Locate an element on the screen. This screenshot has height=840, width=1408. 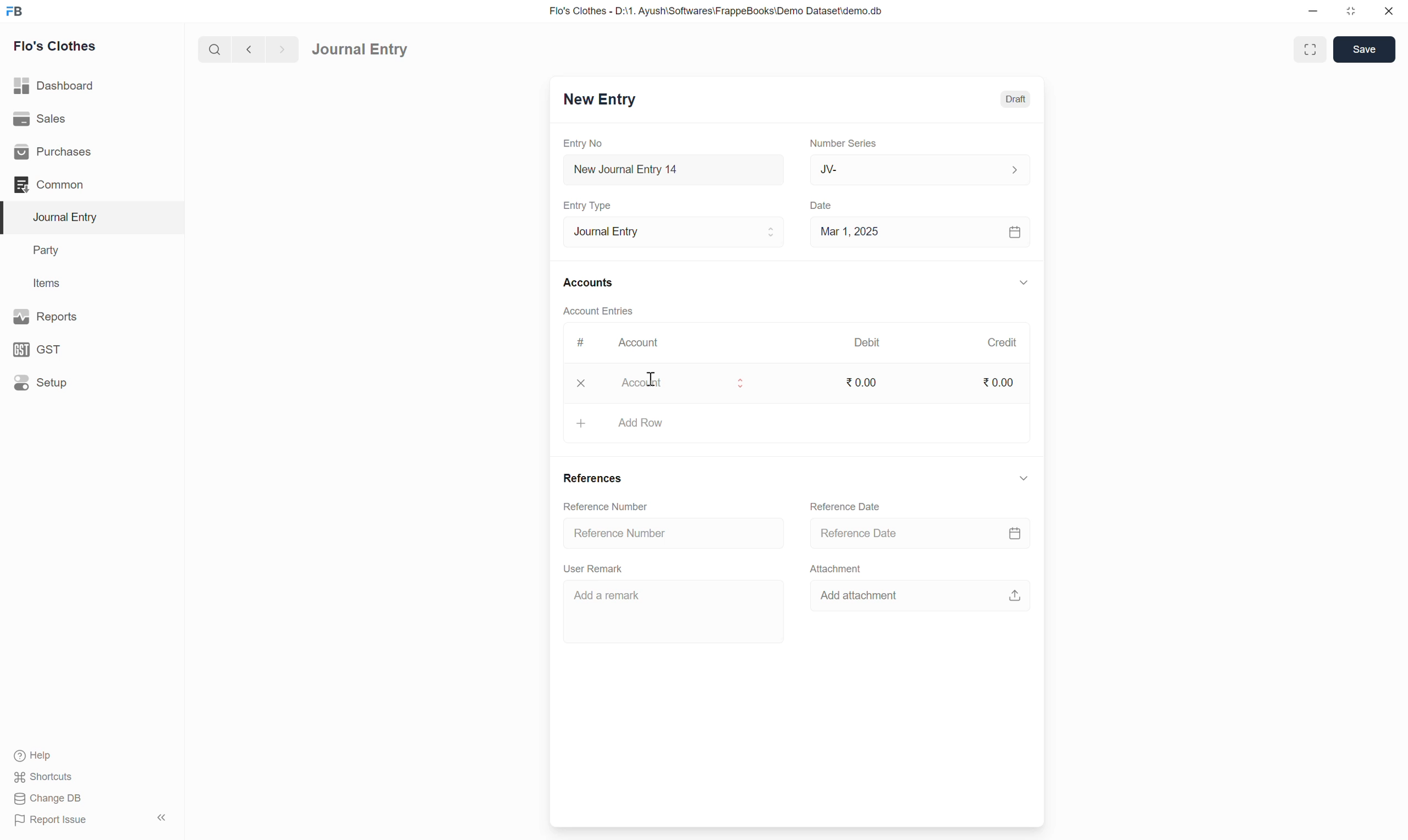
Date is located at coordinates (824, 206).